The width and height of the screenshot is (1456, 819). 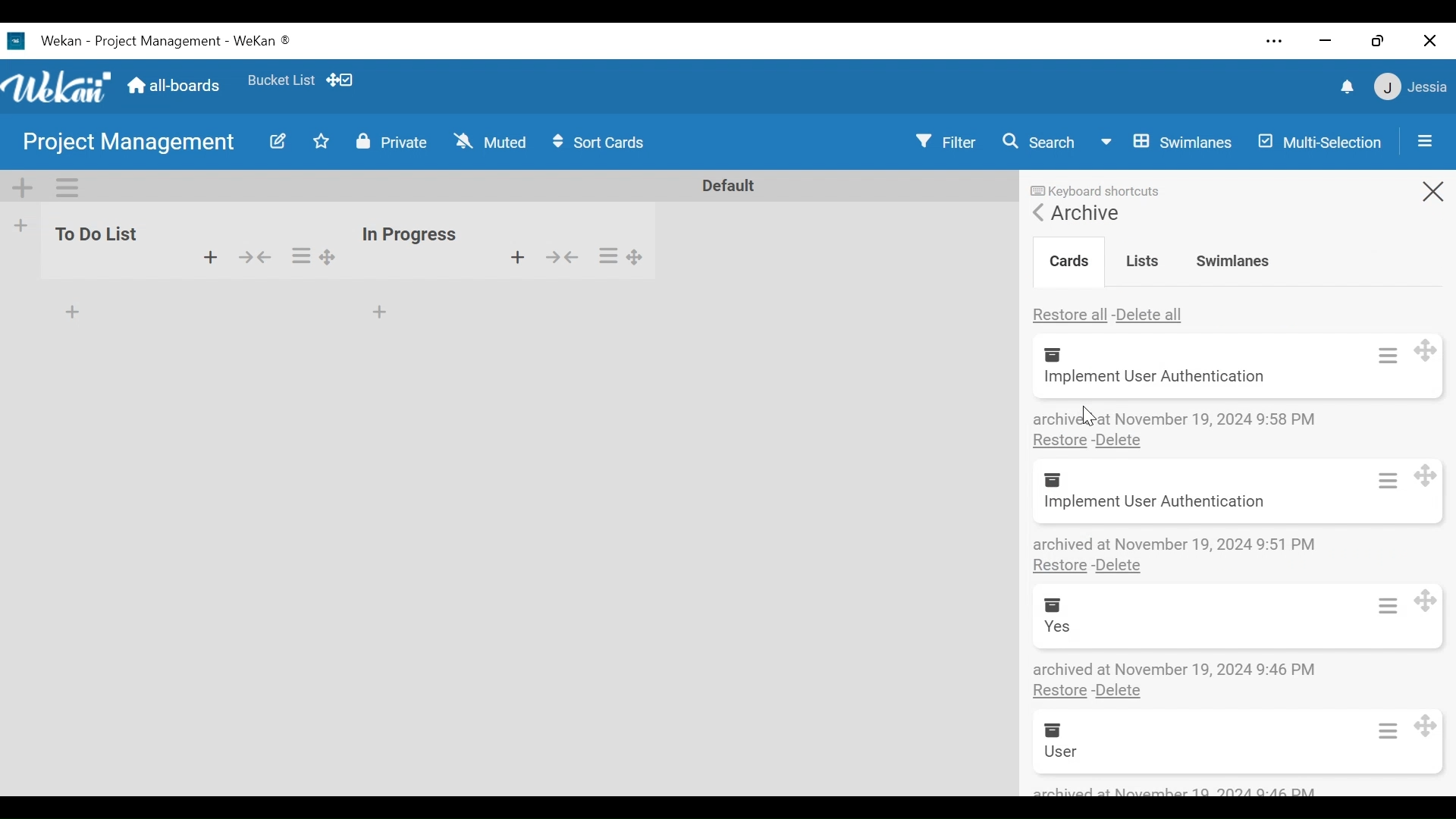 What do you see at coordinates (1205, 620) in the screenshot?
I see `Archive Card` at bounding box center [1205, 620].